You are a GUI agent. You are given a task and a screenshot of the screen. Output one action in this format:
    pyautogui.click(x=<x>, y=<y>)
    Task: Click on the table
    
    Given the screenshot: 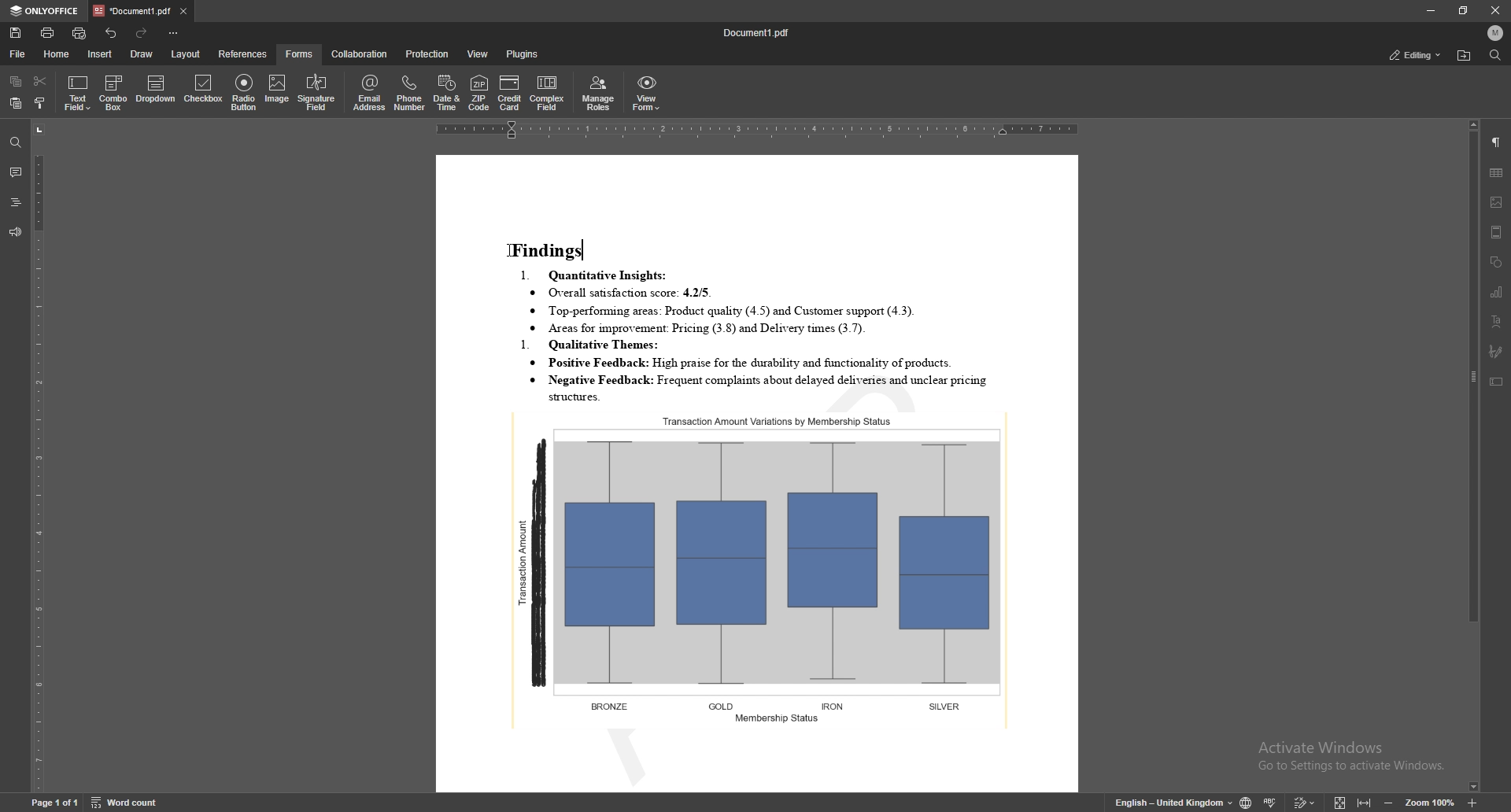 What is the action you would take?
    pyautogui.click(x=1497, y=172)
    